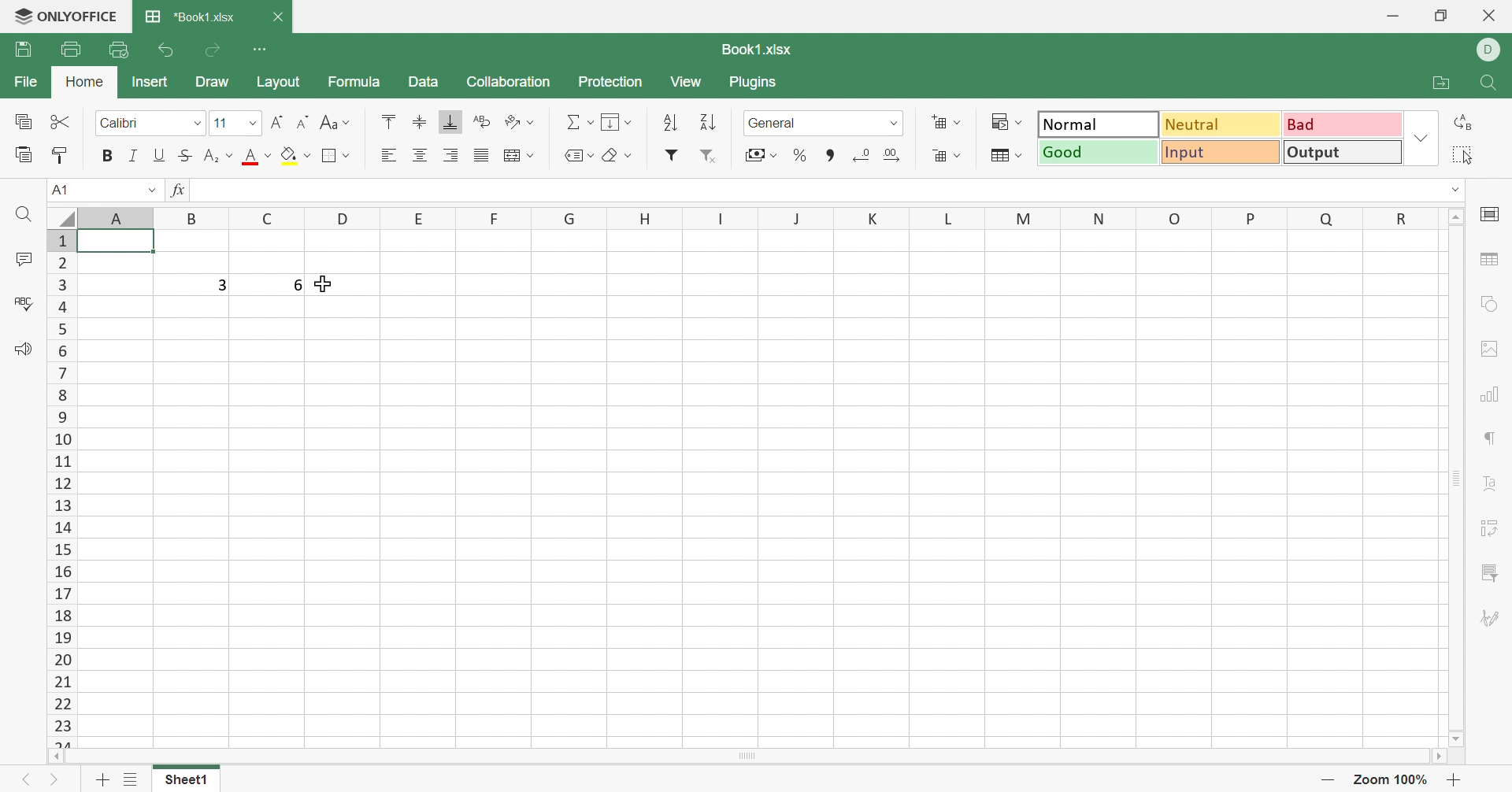 This screenshot has width=1512, height=792. Describe the element at coordinates (755, 48) in the screenshot. I see `Book1.xlsx` at that location.